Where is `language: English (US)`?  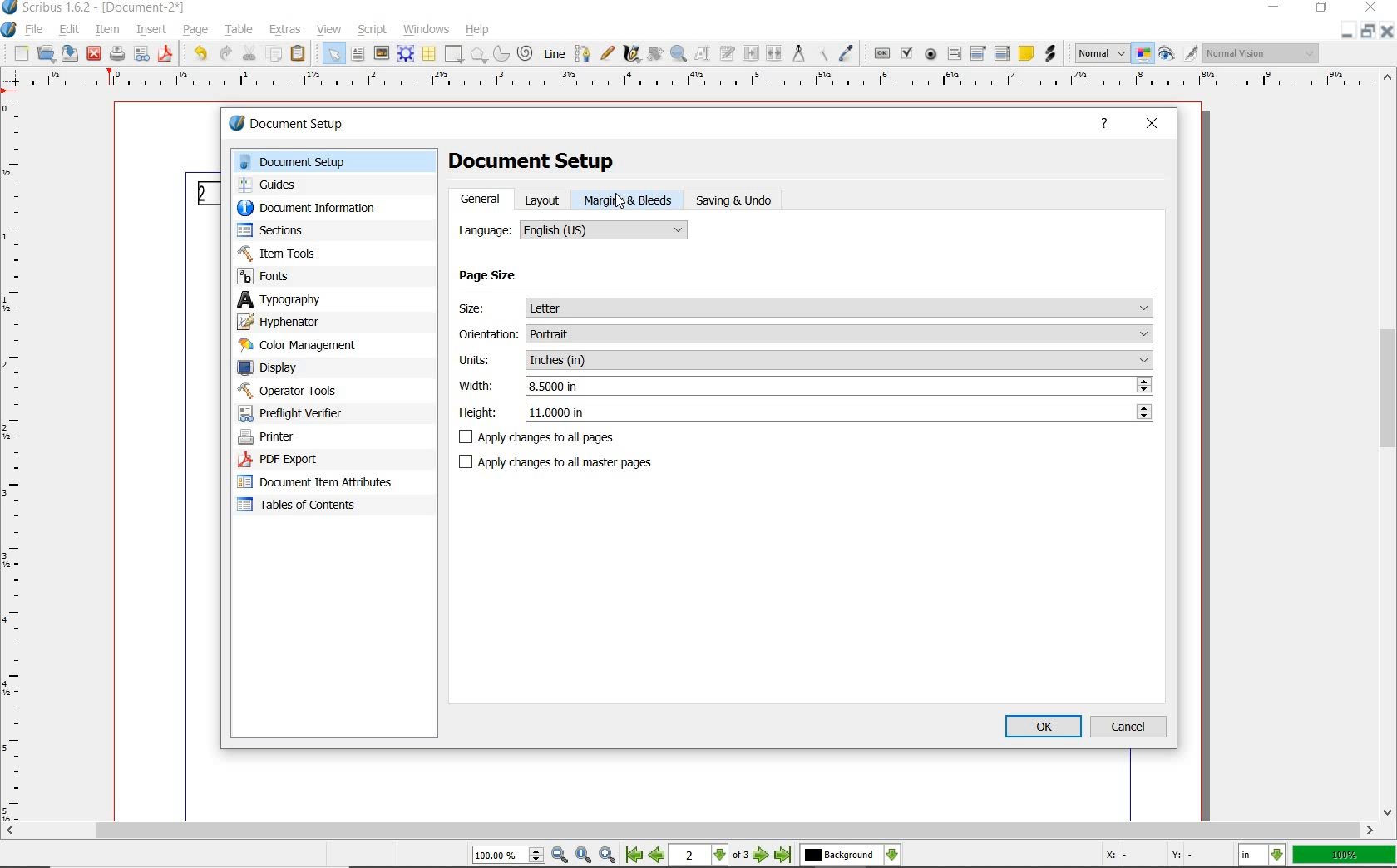
language: English (US) is located at coordinates (573, 229).